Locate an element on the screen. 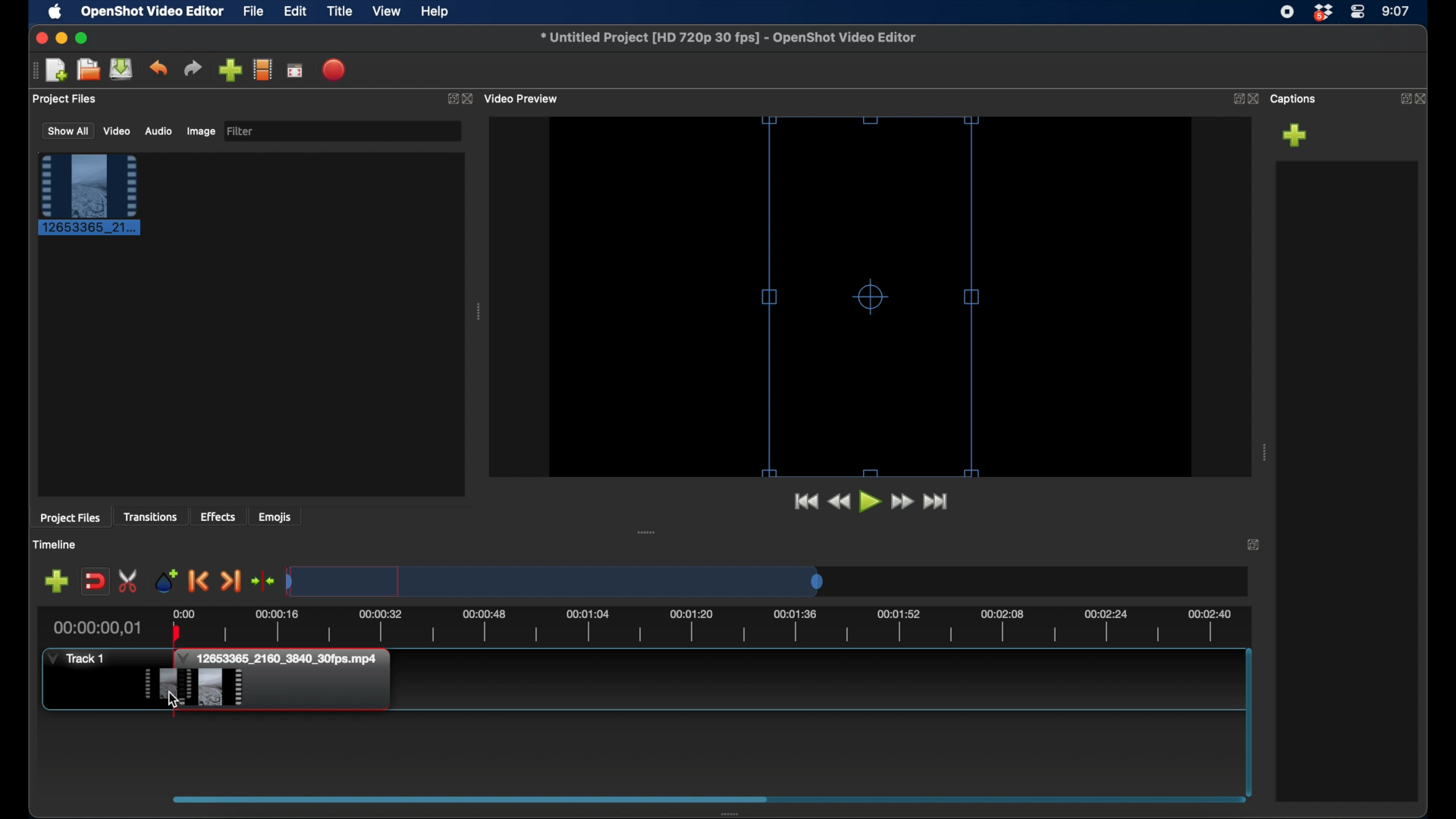 This screenshot has height=819, width=1456. minimize is located at coordinates (63, 38).